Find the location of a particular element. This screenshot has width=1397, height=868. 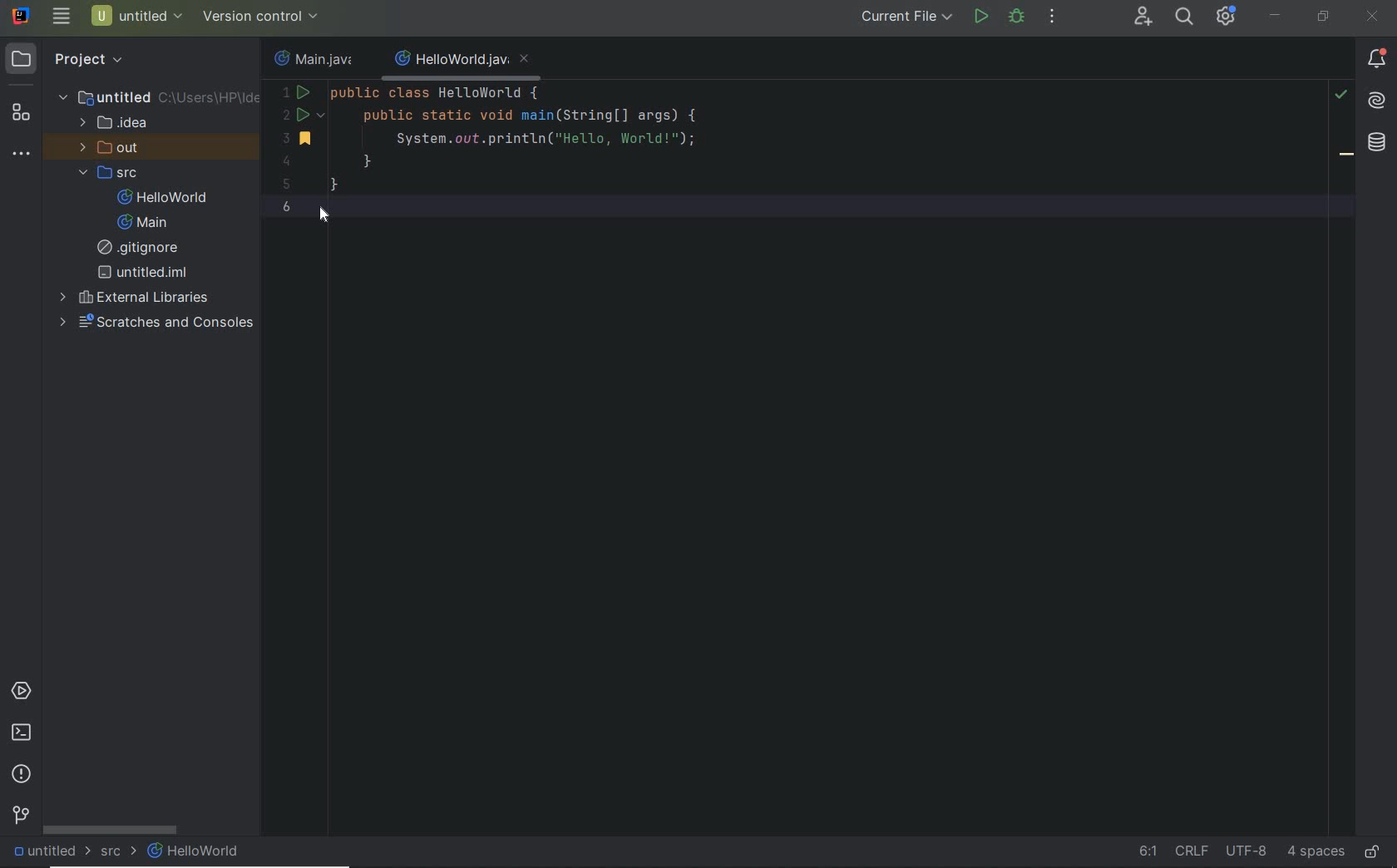

external Libraries is located at coordinates (134, 296).